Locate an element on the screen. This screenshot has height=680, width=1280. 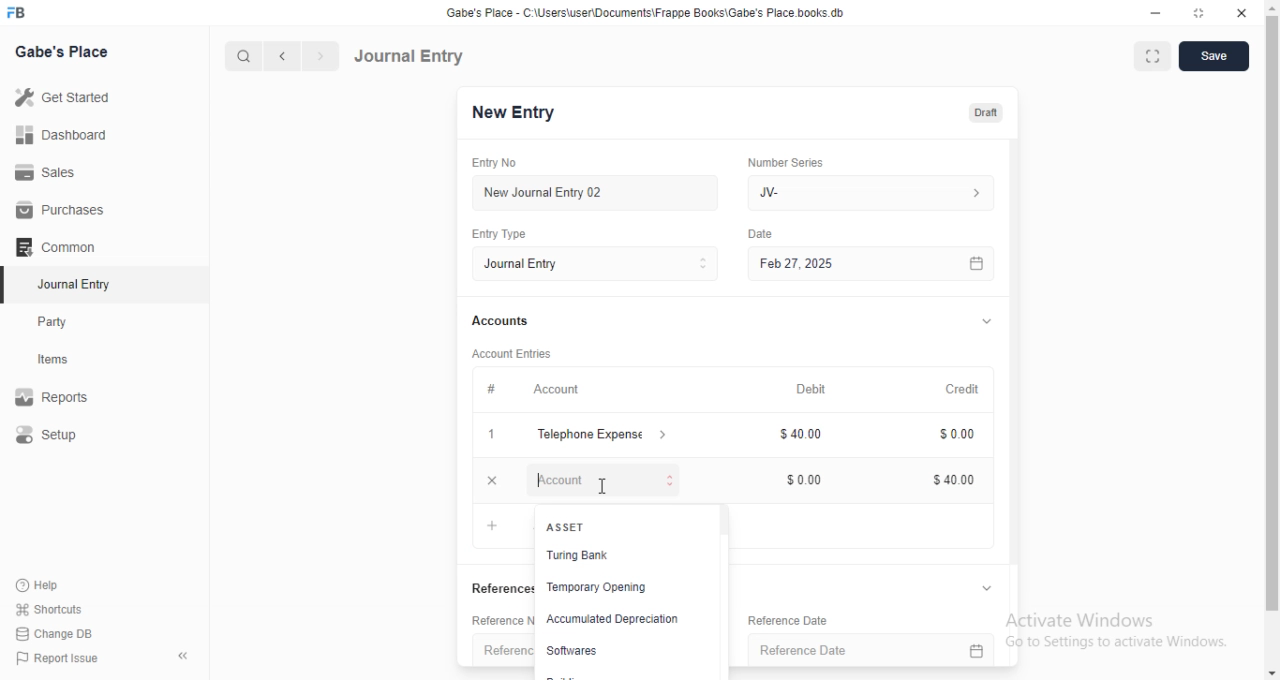
Journal Entry is located at coordinates (603, 264).